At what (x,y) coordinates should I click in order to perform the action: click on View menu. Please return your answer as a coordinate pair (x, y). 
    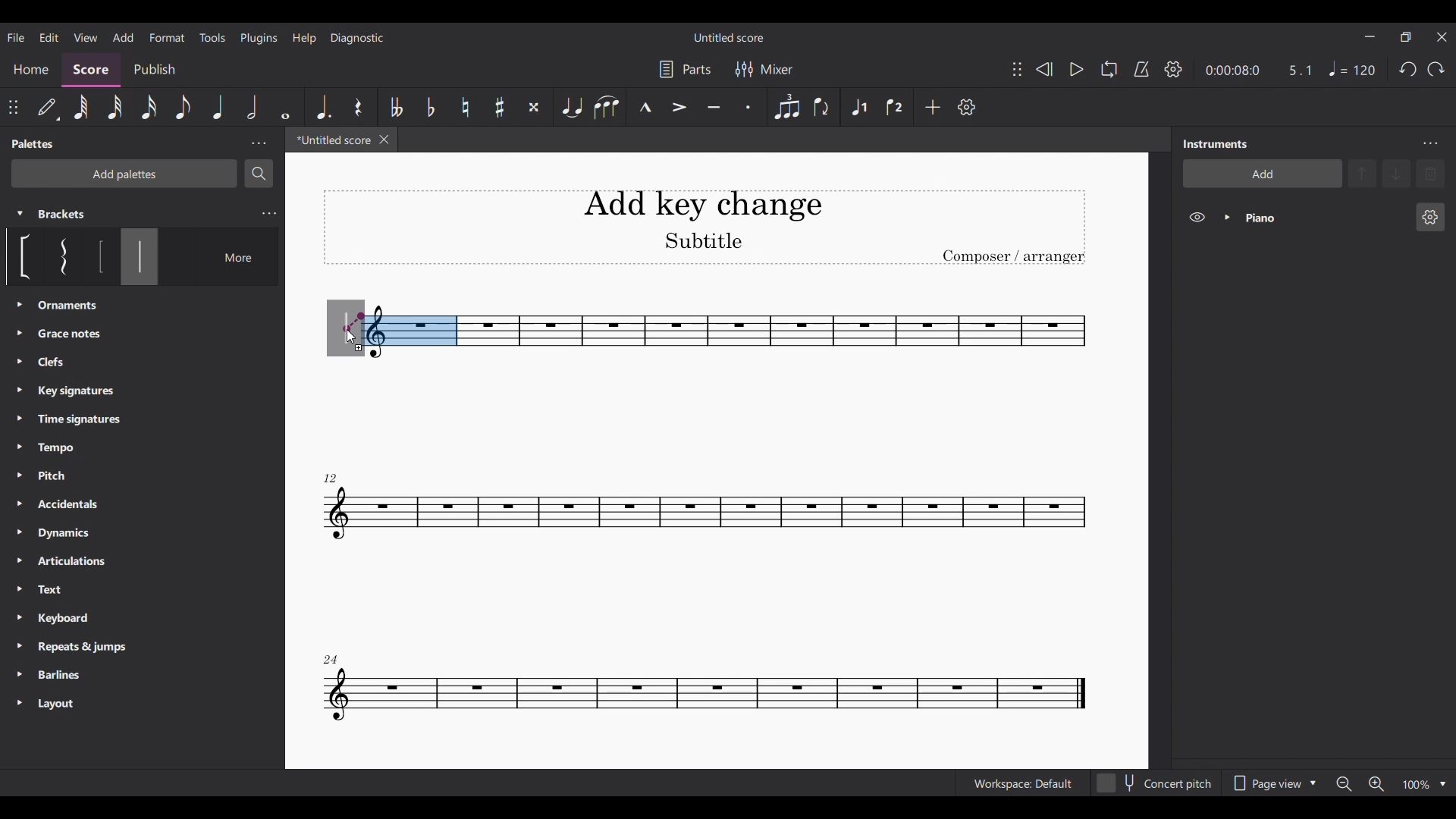
    Looking at the image, I should click on (86, 37).